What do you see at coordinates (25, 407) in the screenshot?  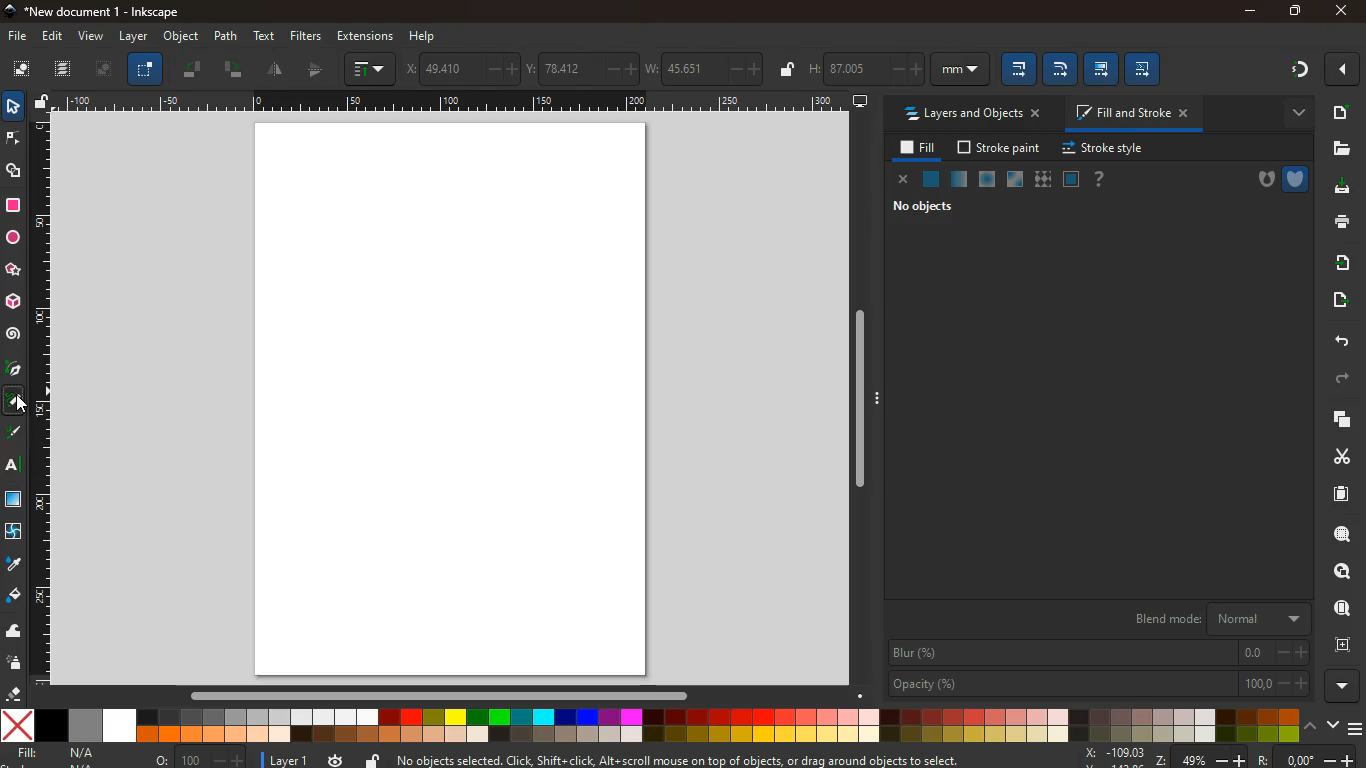 I see `cursor` at bounding box center [25, 407].